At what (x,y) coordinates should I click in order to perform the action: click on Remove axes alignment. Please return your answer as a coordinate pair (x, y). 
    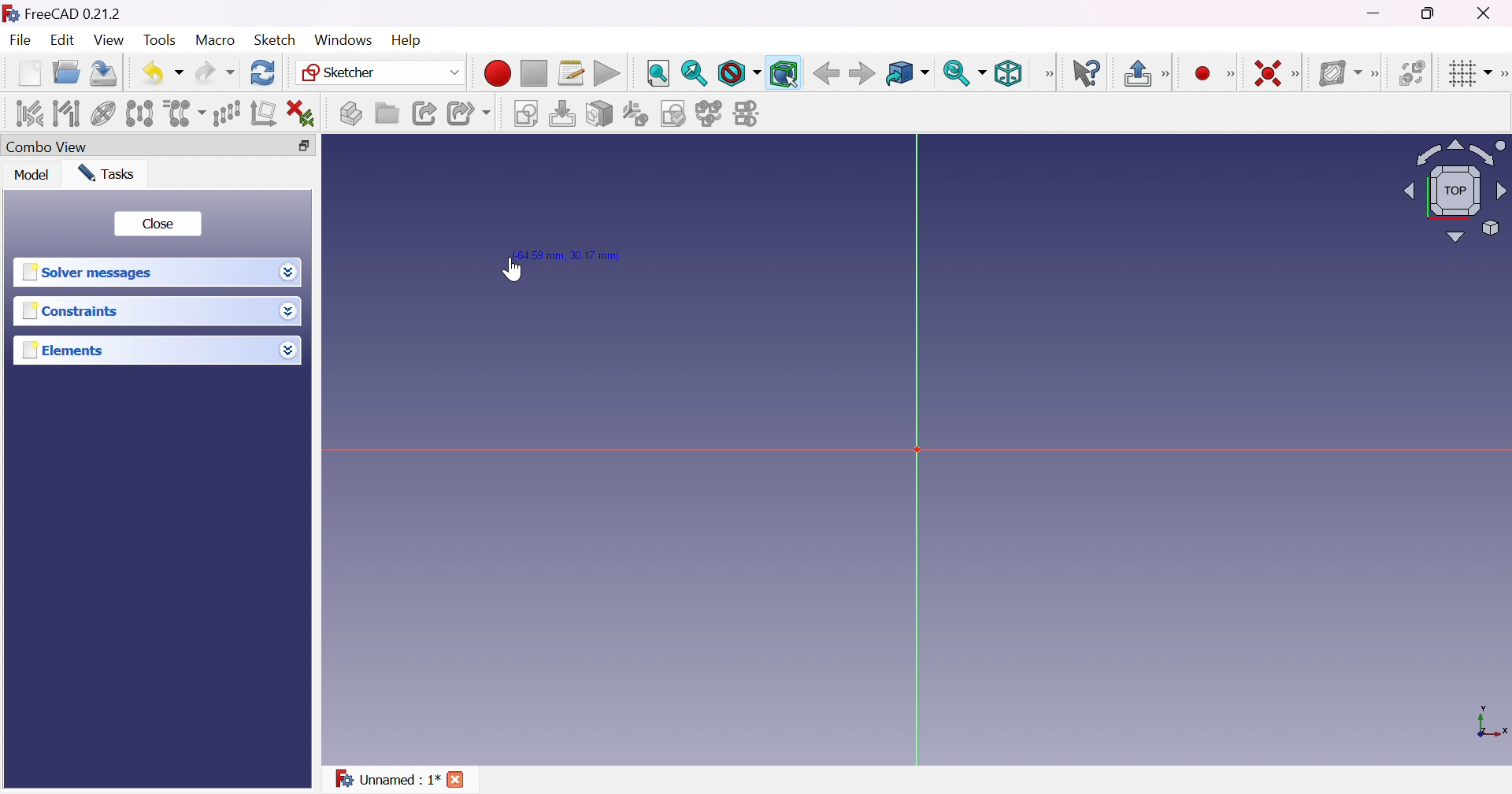
    Looking at the image, I should click on (262, 114).